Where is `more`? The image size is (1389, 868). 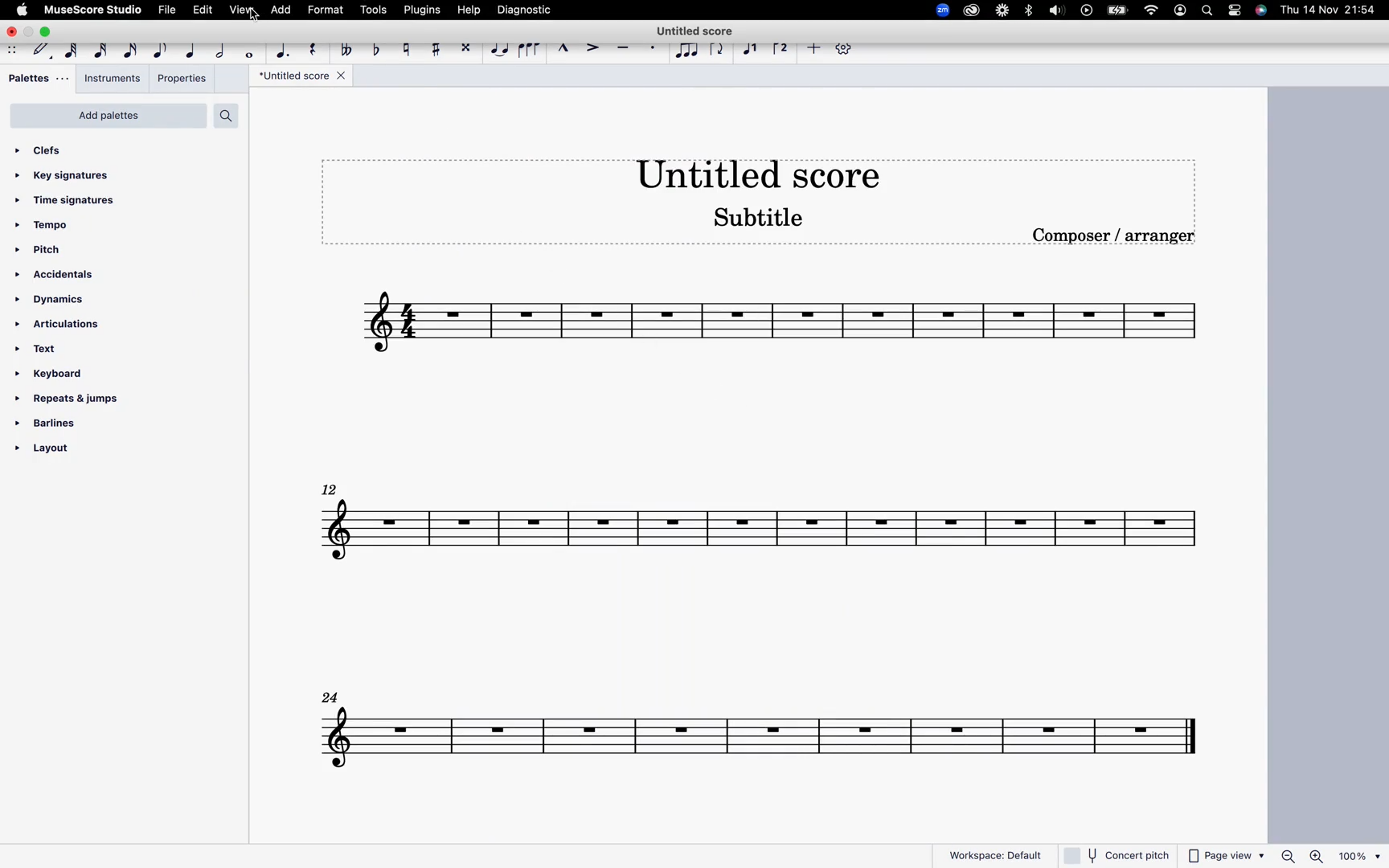 more is located at coordinates (813, 50).